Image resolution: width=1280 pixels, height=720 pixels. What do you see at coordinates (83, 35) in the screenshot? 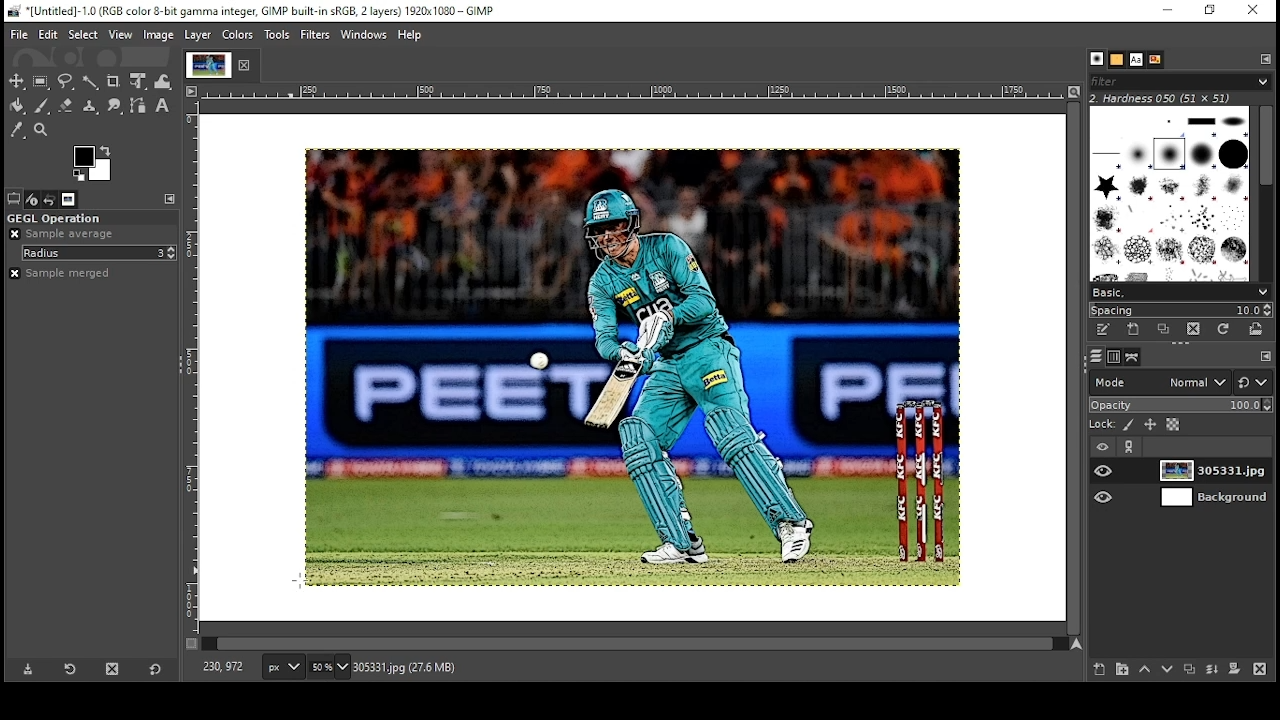
I see `select` at bounding box center [83, 35].